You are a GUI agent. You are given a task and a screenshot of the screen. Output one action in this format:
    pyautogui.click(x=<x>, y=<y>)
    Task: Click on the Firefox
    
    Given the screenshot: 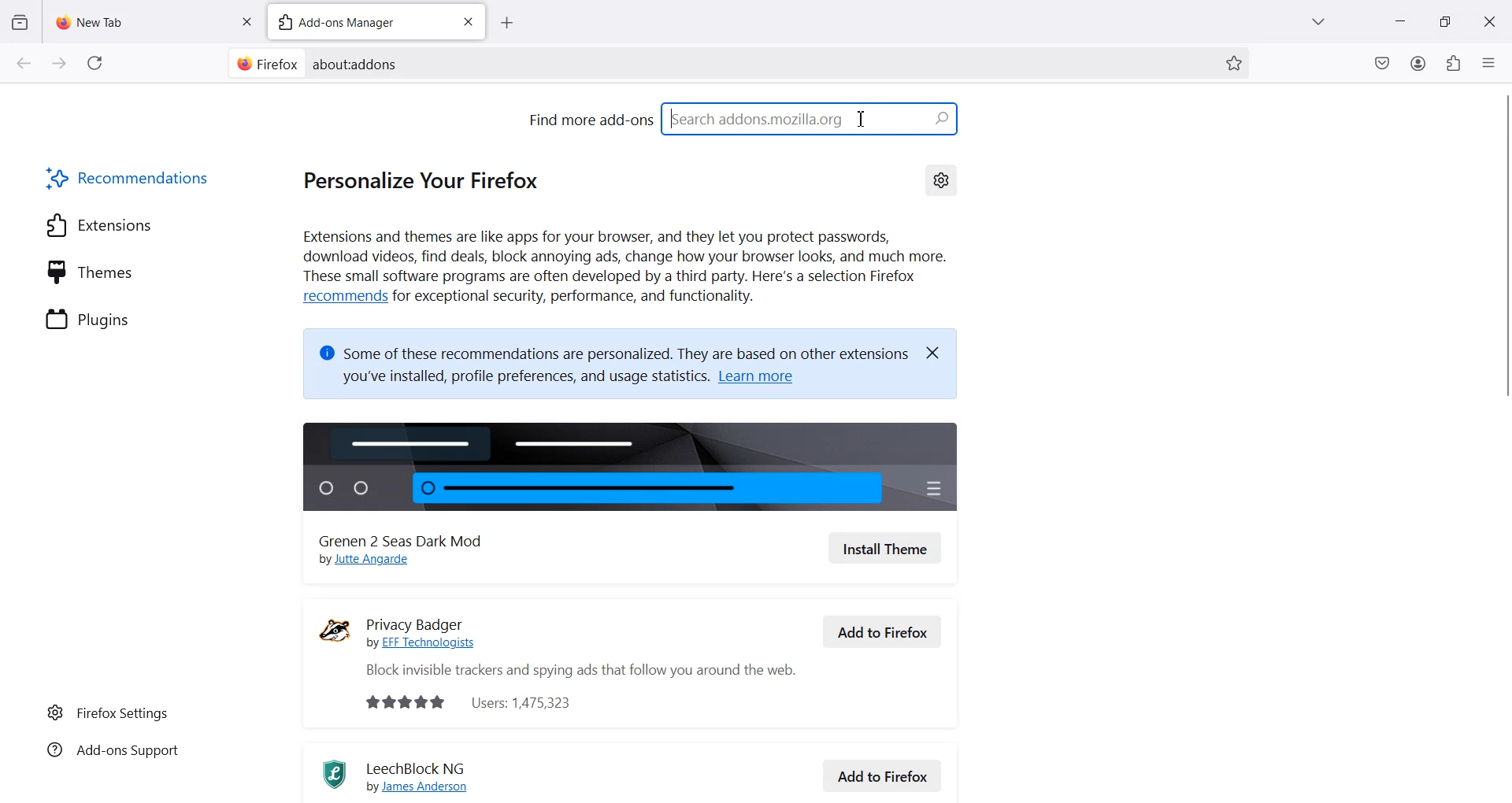 What is the action you would take?
    pyautogui.click(x=265, y=63)
    